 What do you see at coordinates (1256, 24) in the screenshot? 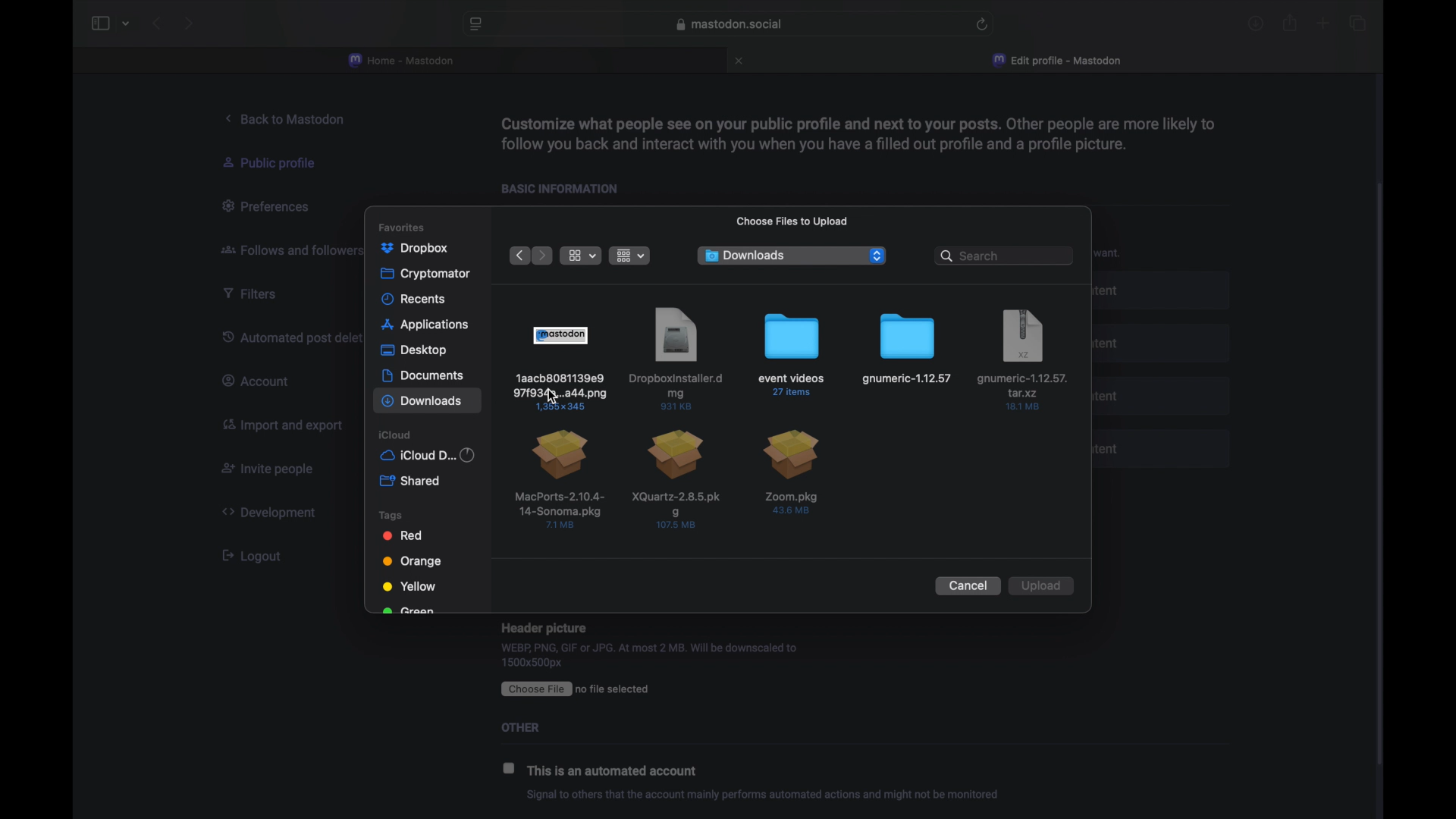
I see `downloads` at bounding box center [1256, 24].